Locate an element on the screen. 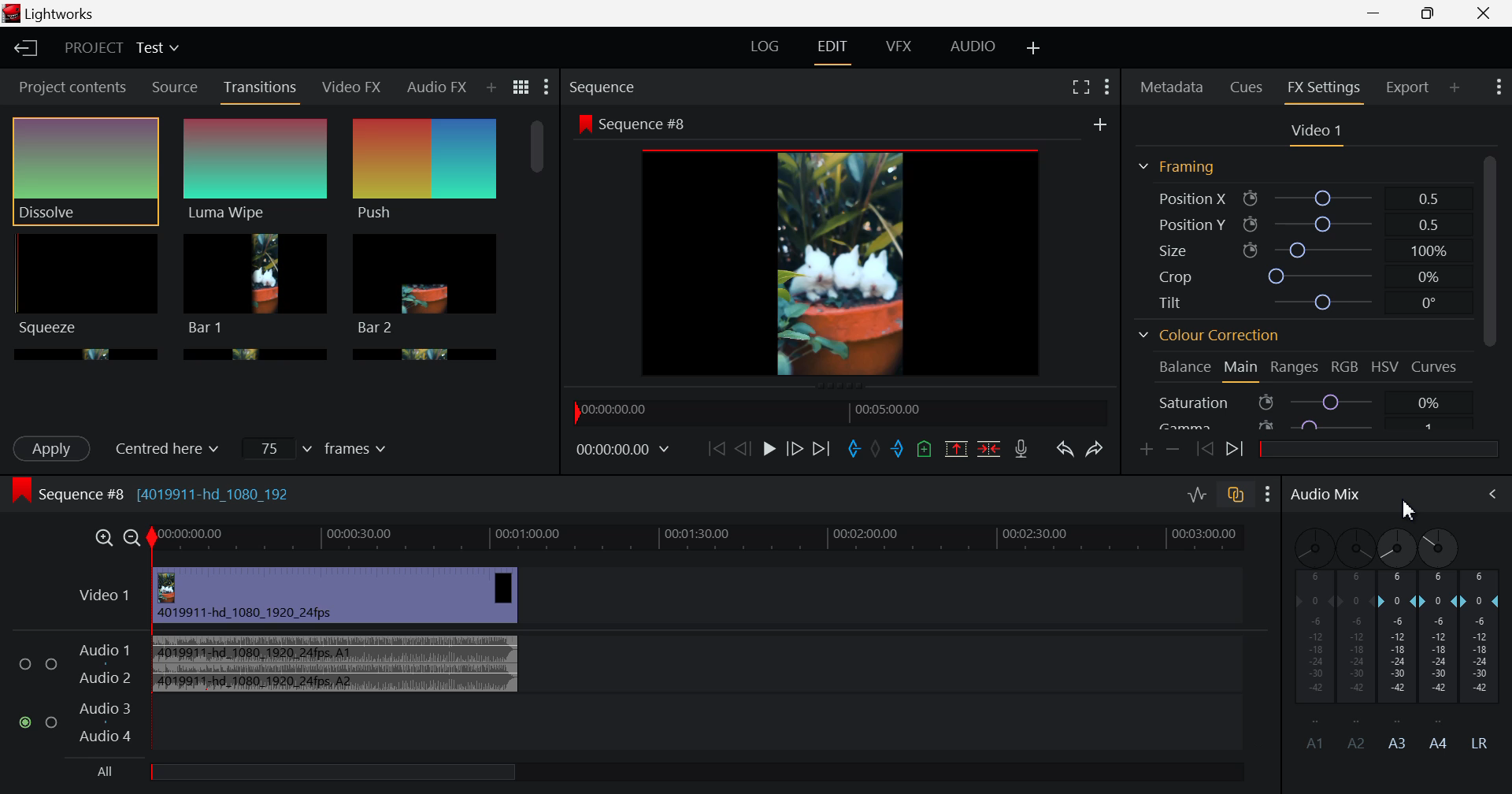 The image size is (1512, 794). A2 Channel Disabled is located at coordinates (1355, 637).